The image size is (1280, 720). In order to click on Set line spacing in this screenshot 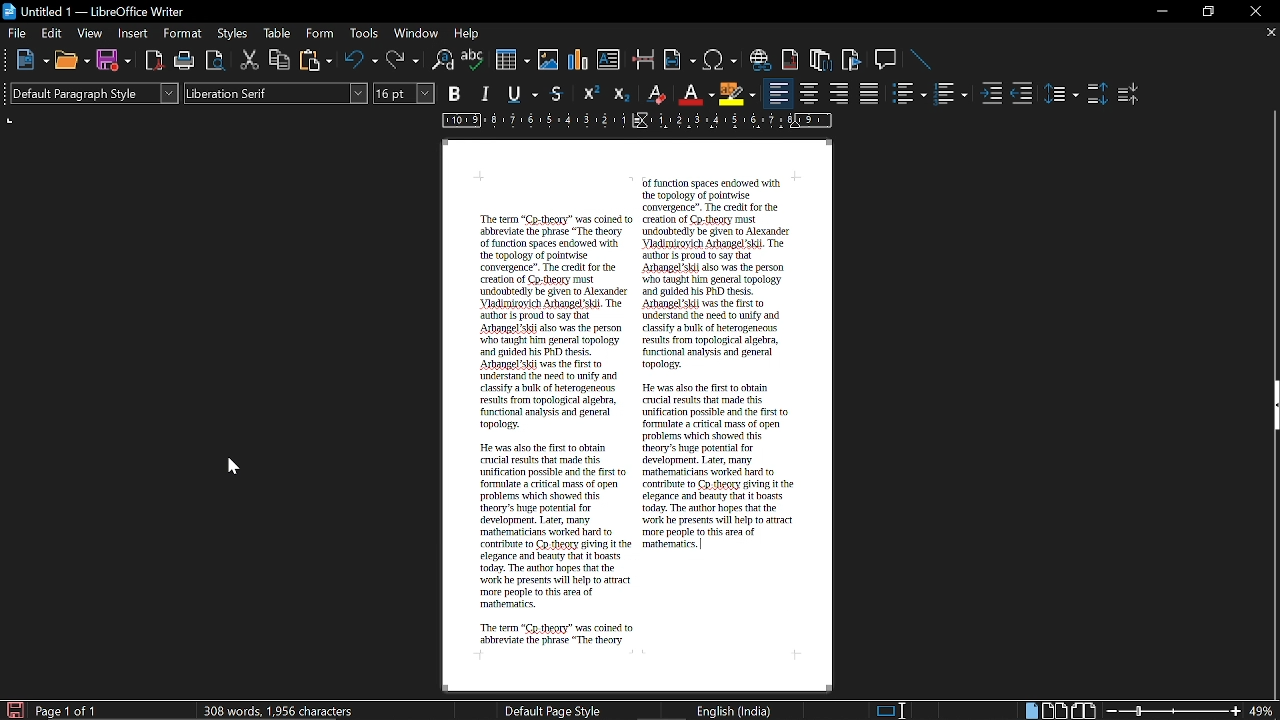, I will do `click(1061, 94)`.